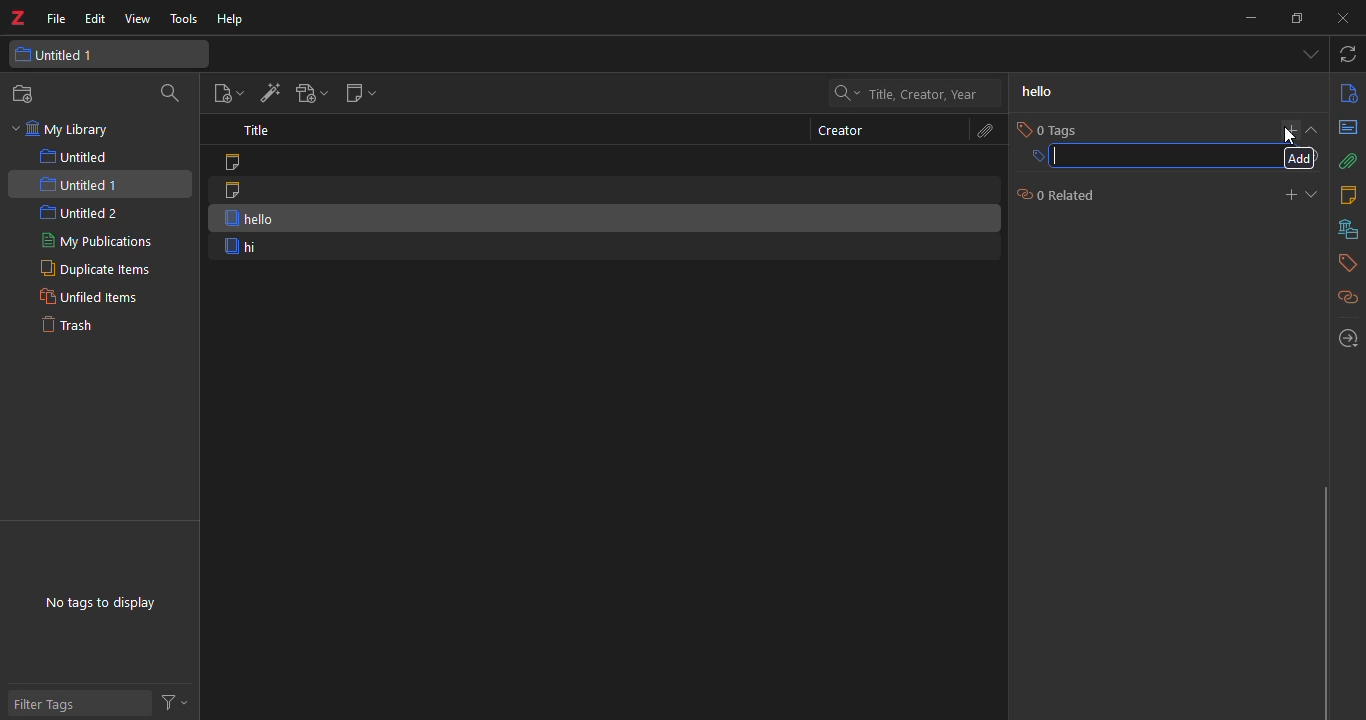 This screenshot has width=1366, height=720. I want to click on add attach, so click(312, 92).